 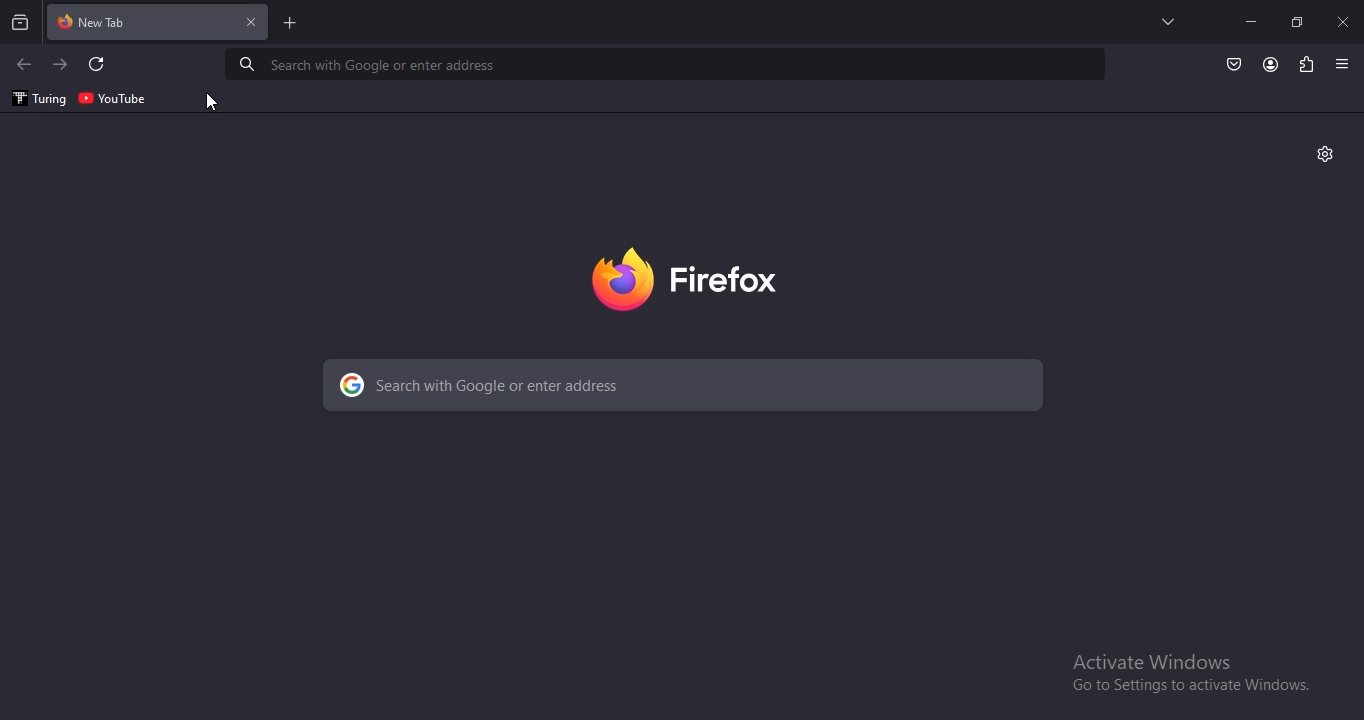 I want to click on Search with Google or enter address, so click(x=365, y=66).